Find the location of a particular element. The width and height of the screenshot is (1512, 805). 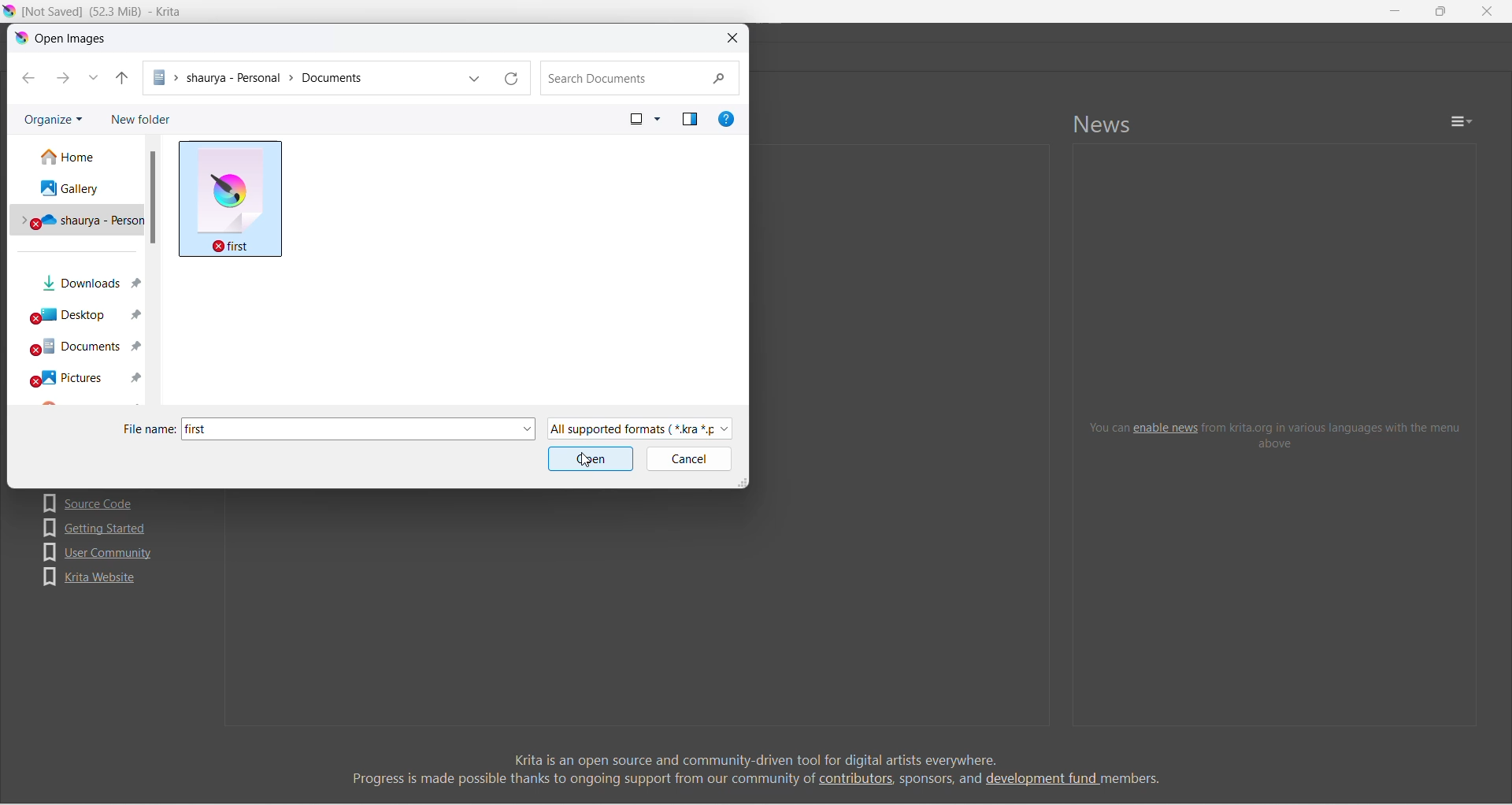

previous pane is located at coordinates (691, 119).